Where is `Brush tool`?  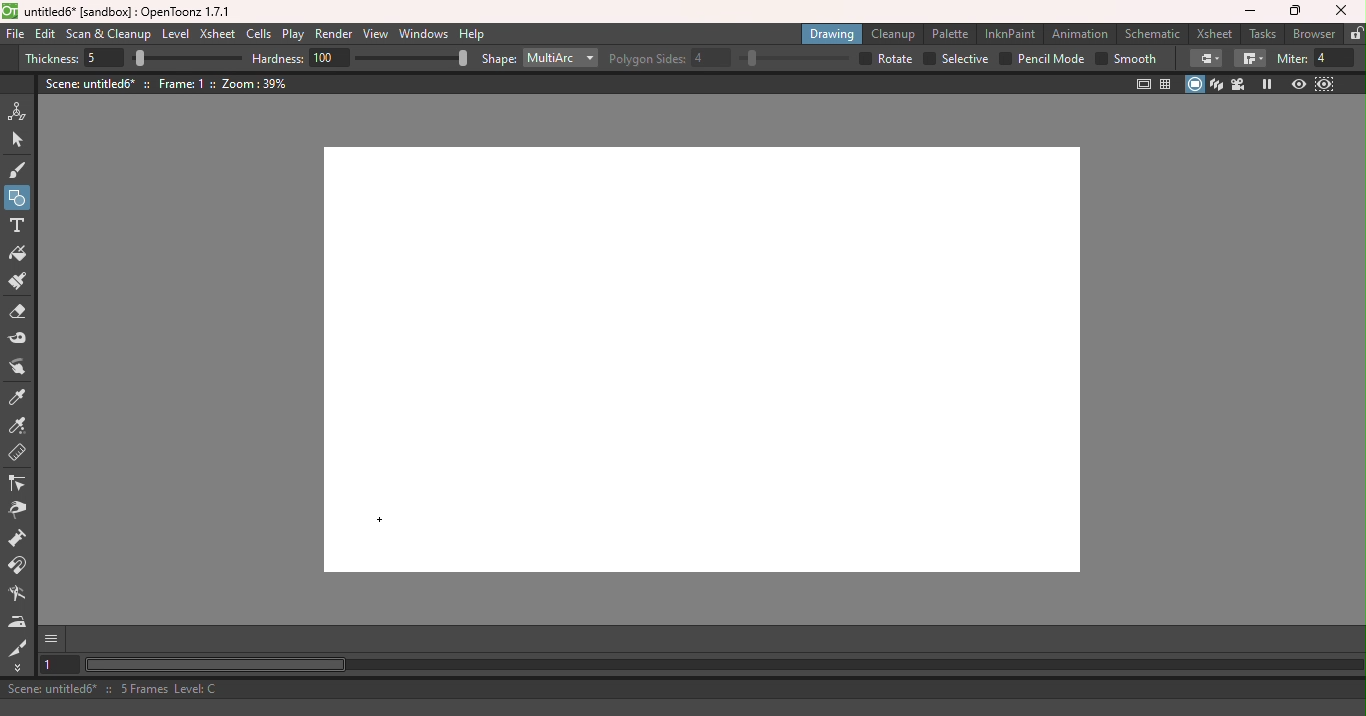
Brush tool is located at coordinates (19, 170).